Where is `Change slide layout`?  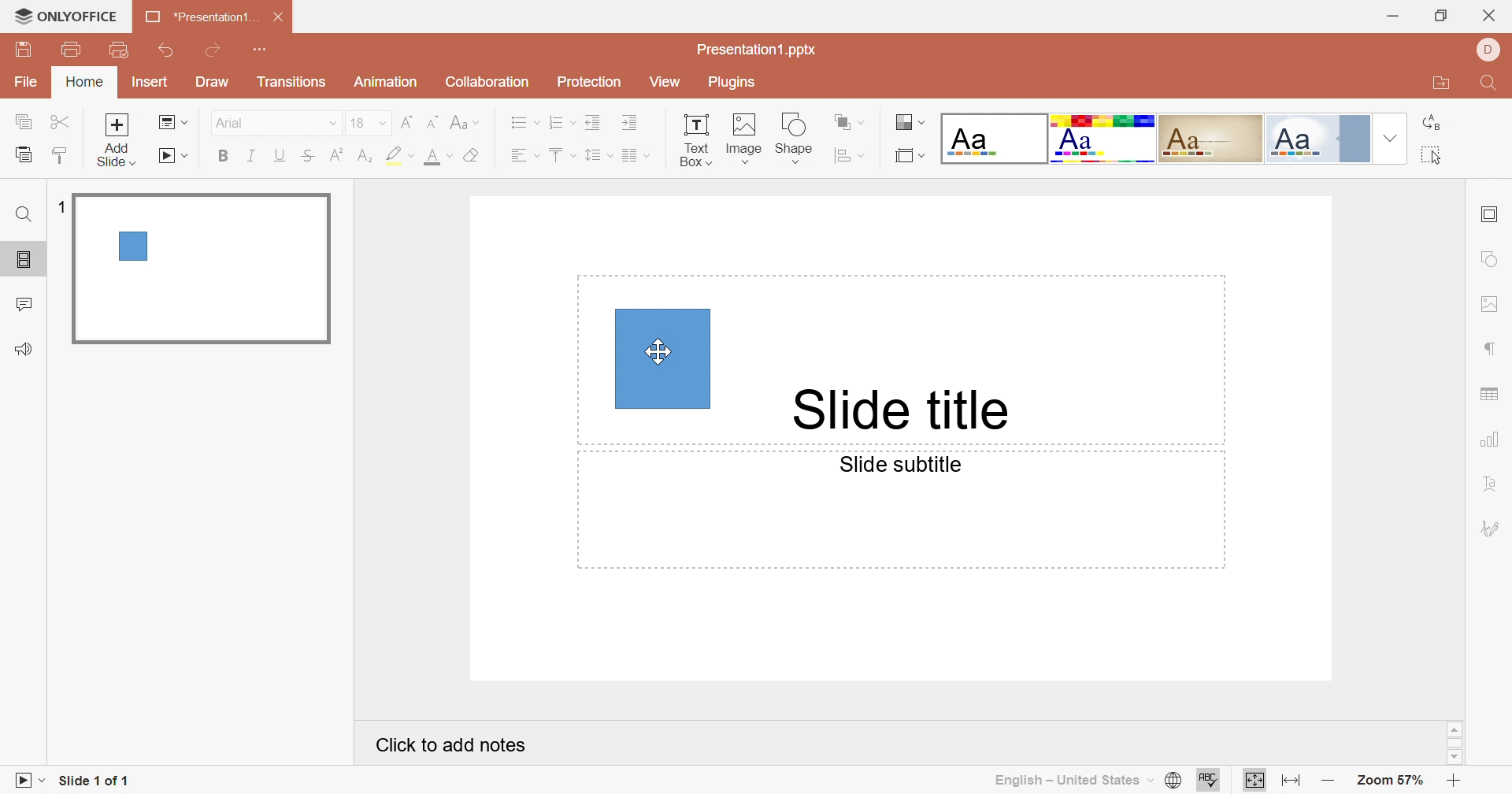
Change slide layout is located at coordinates (172, 123).